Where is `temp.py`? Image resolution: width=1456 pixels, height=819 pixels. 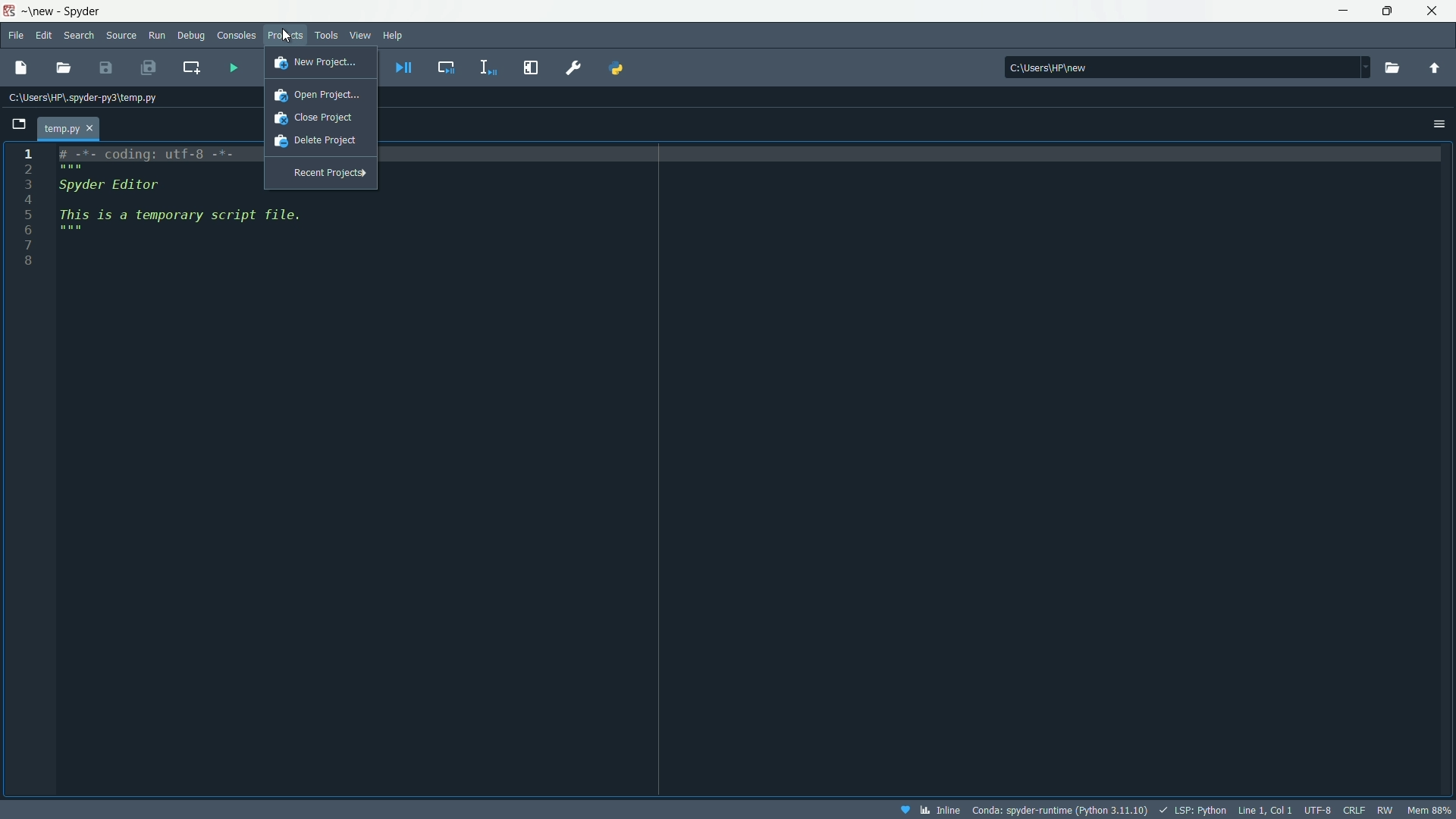
temp.py is located at coordinates (70, 129).